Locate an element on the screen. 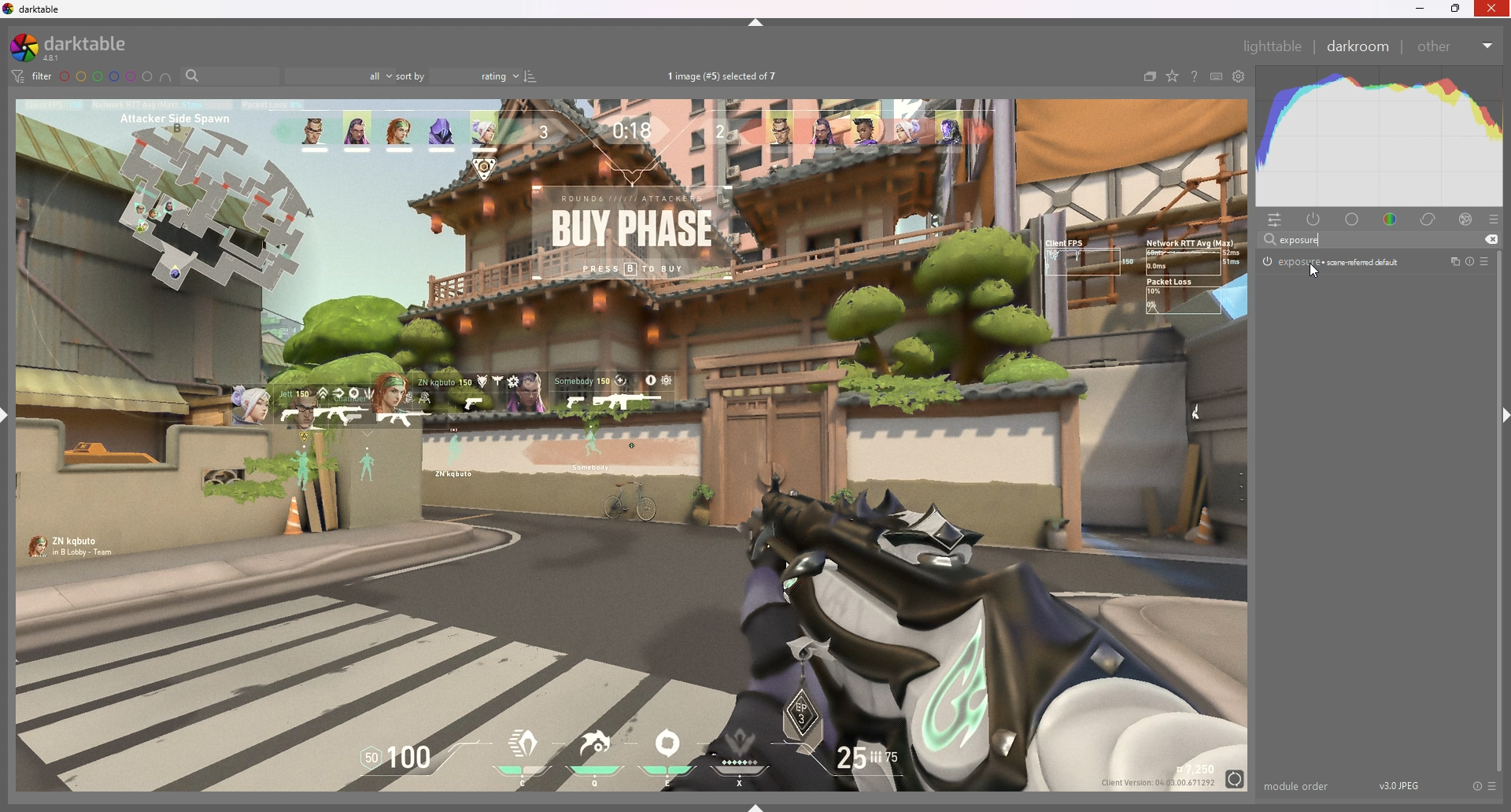 The image size is (1511, 812). scroll bar is located at coordinates (1500, 511).